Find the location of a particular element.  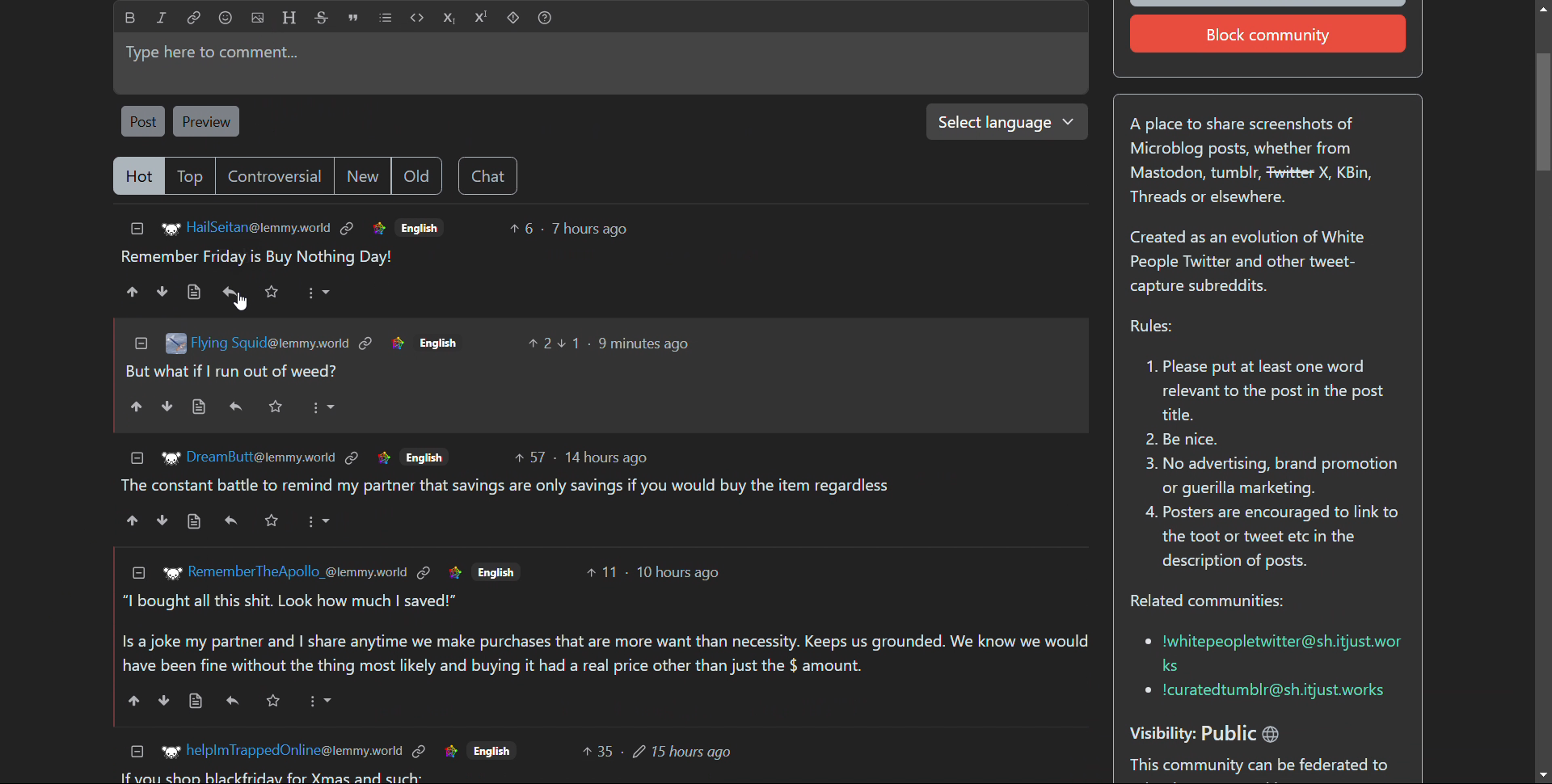

link is located at coordinates (378, 230).